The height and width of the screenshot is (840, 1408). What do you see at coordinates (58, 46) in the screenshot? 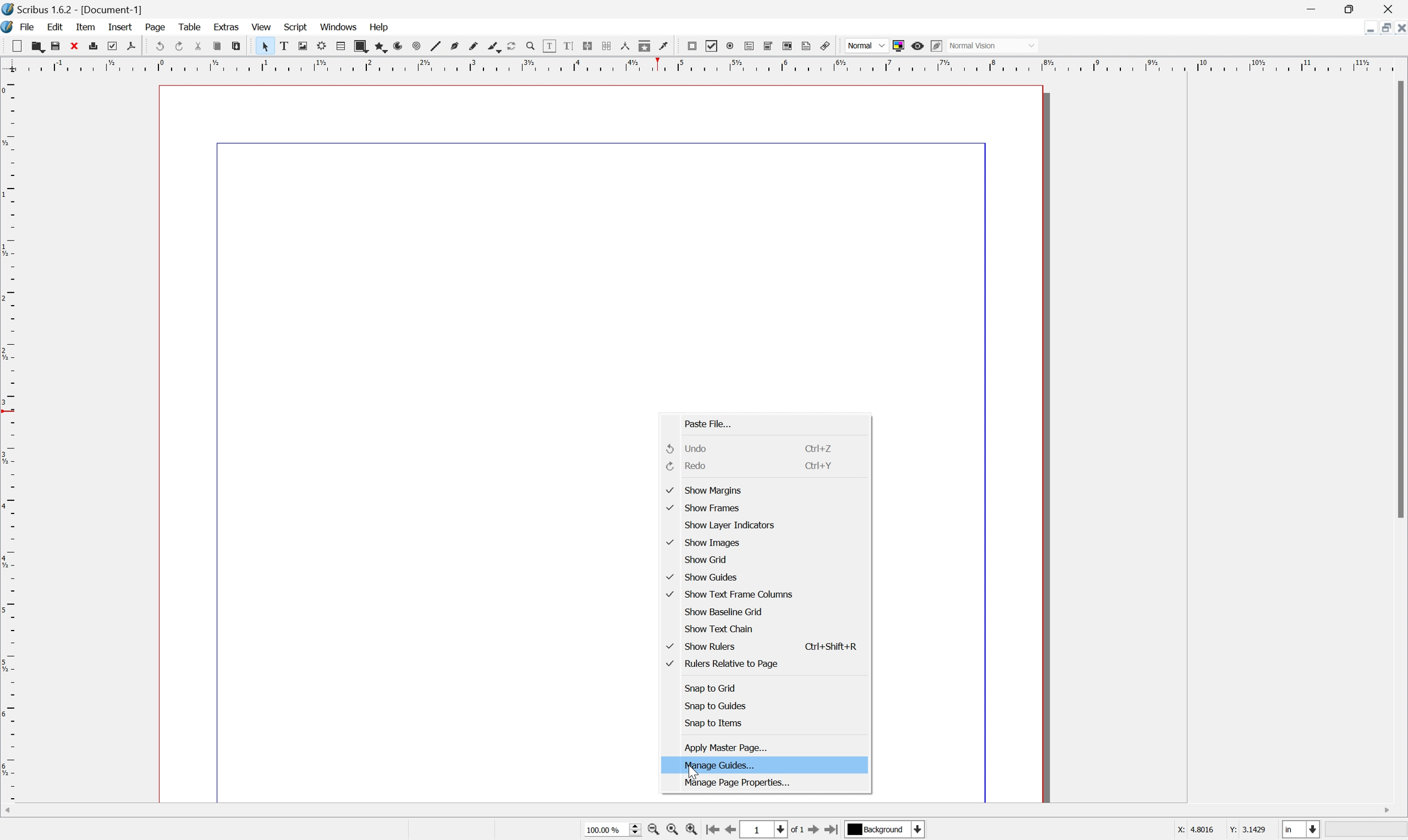
I see `save` at bounding box center [58, 46].